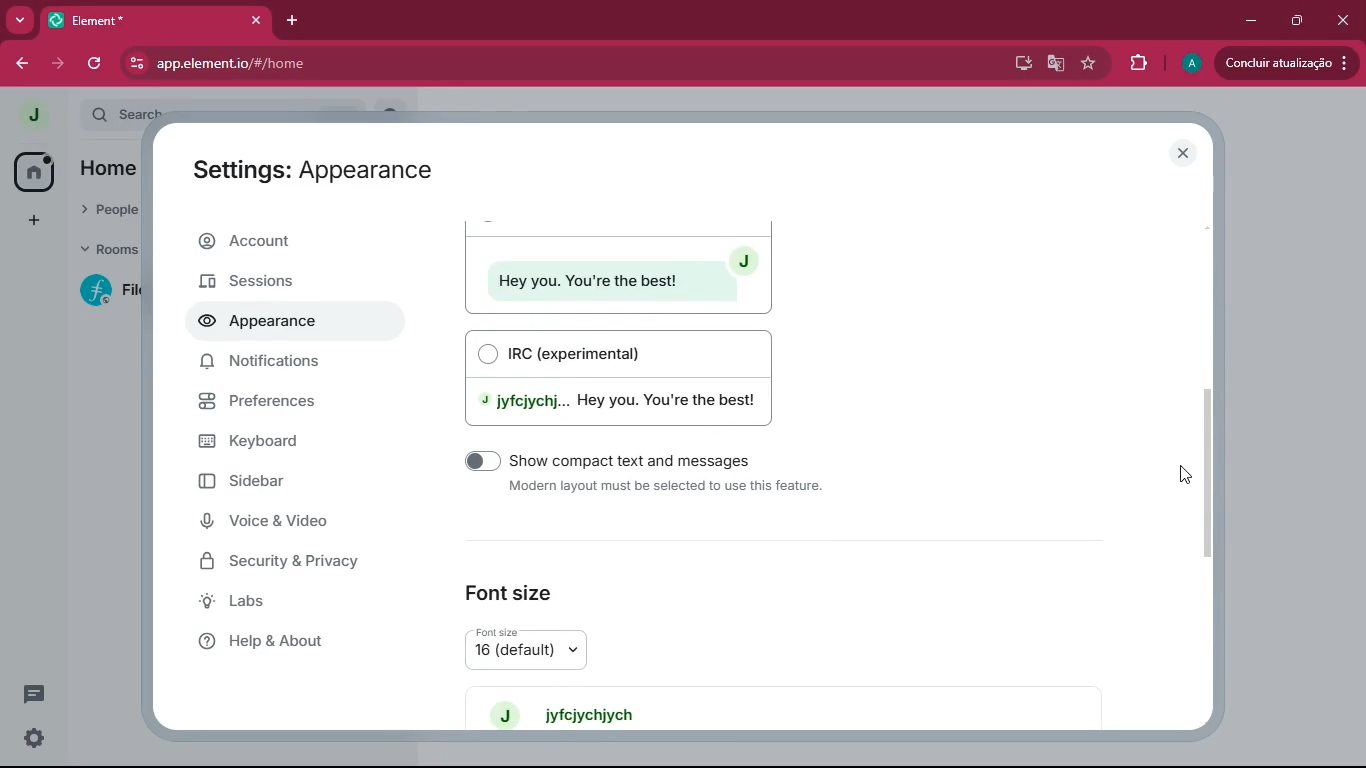  What do you see at coordinates (512, 586) in the screenshot?
I see `font size` at bounding box center [512, 586].